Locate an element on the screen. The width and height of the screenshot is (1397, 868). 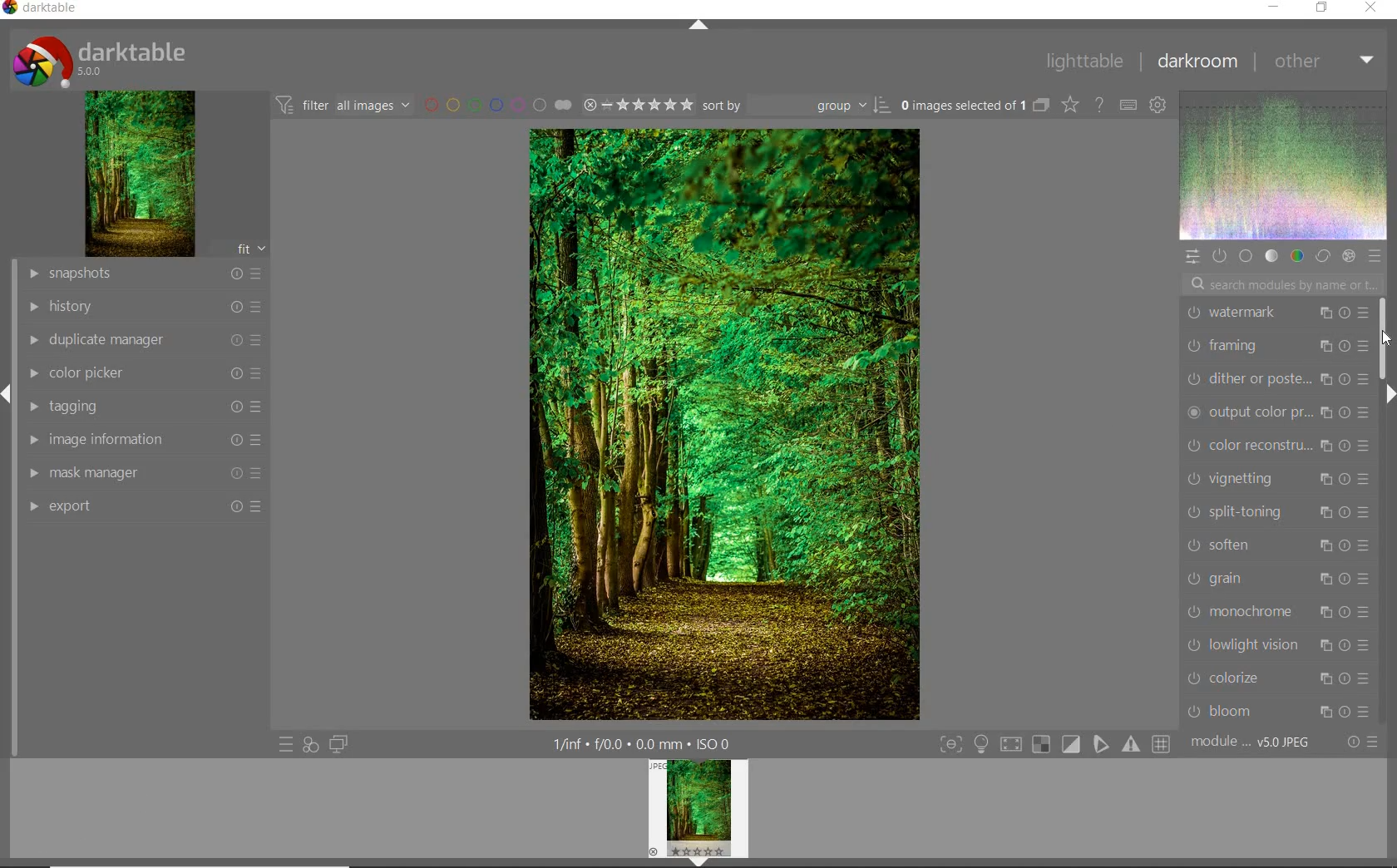
LOWFIGHT is located at coordinates (1281, 643).